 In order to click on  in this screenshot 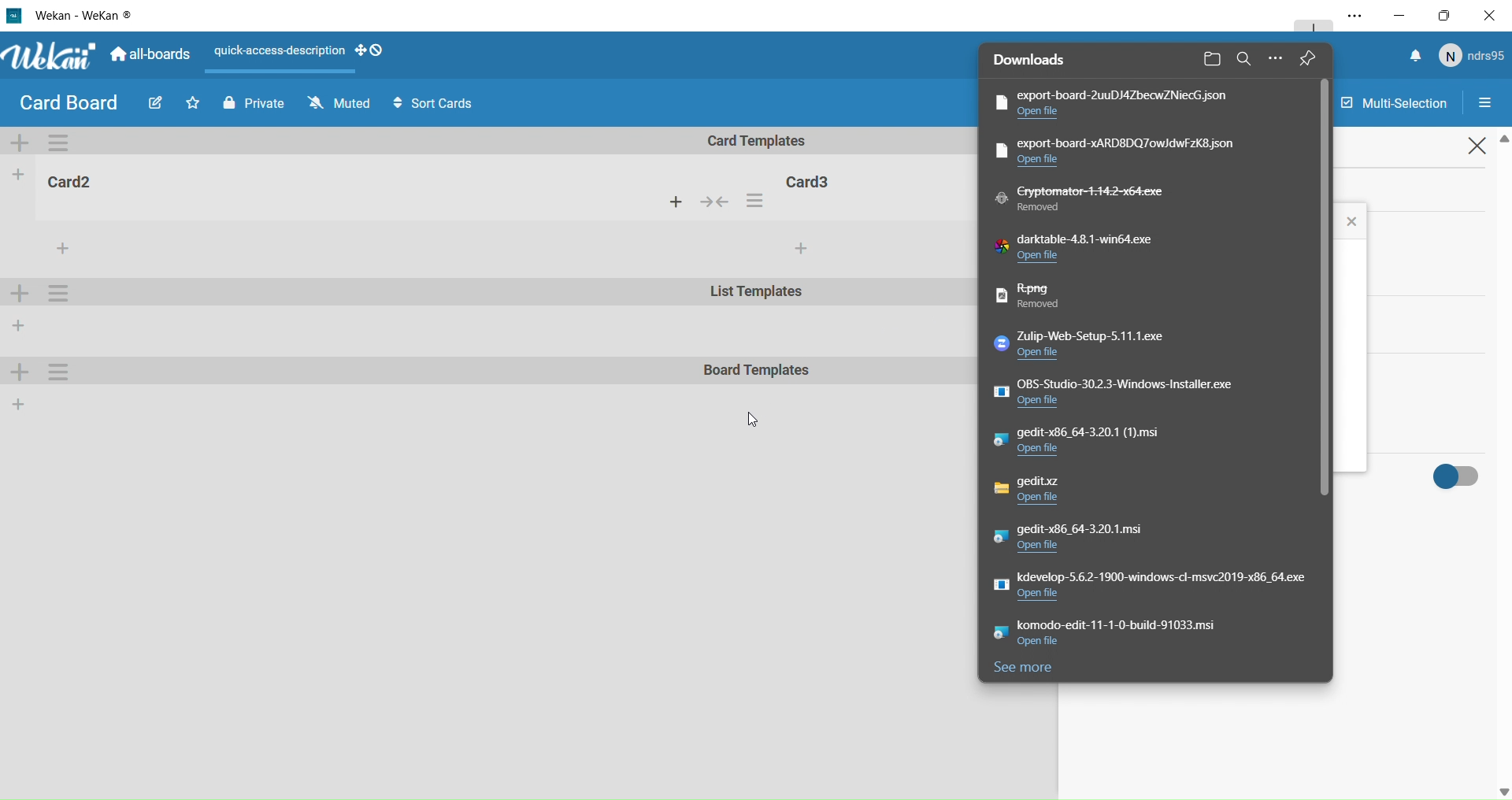, I will do `click(17, 329)`.